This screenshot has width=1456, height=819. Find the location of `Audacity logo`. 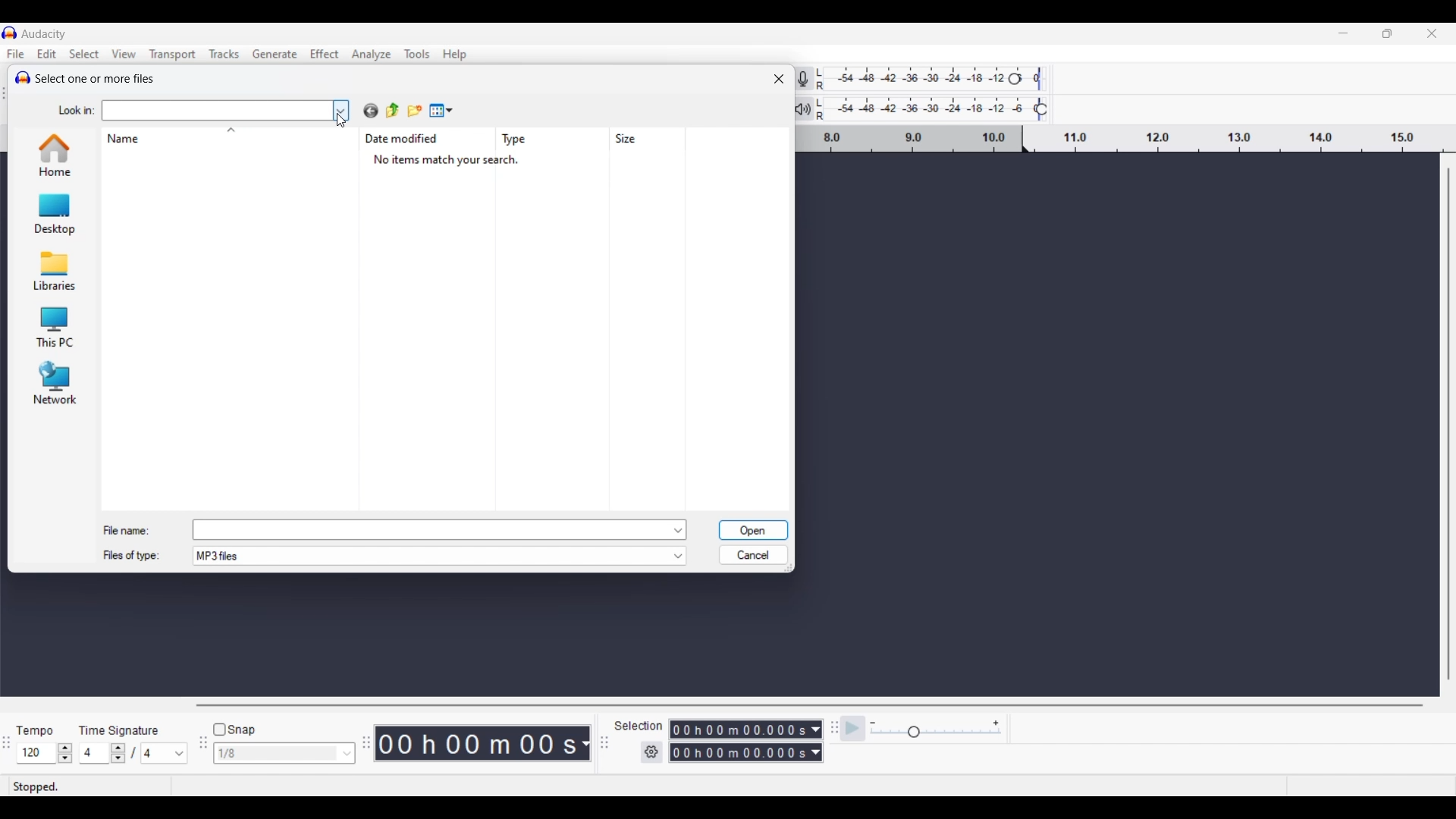

Audacity logo is located at coordinates (20, 76).